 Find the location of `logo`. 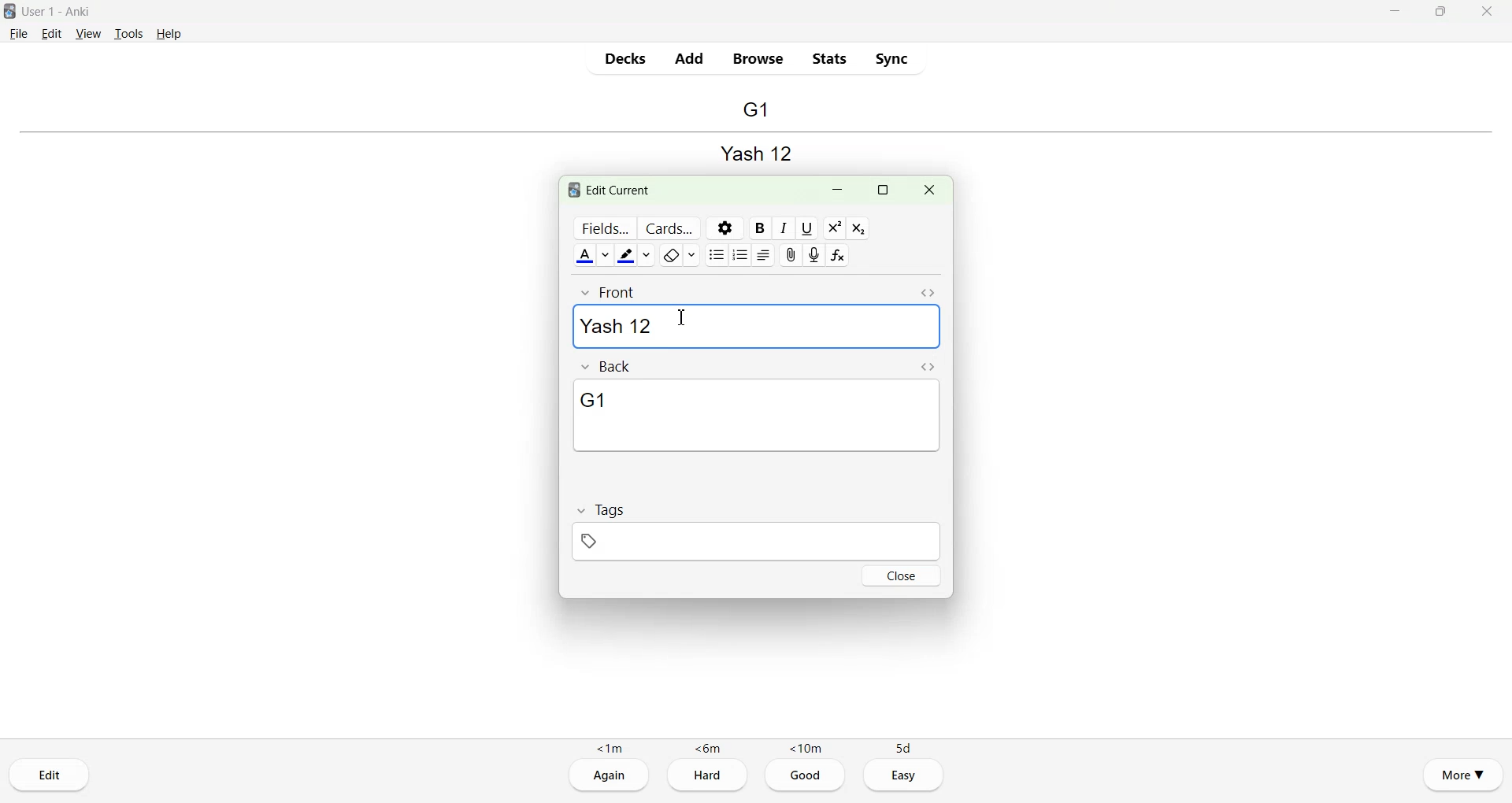

logo is located at coordinates (571, 191).